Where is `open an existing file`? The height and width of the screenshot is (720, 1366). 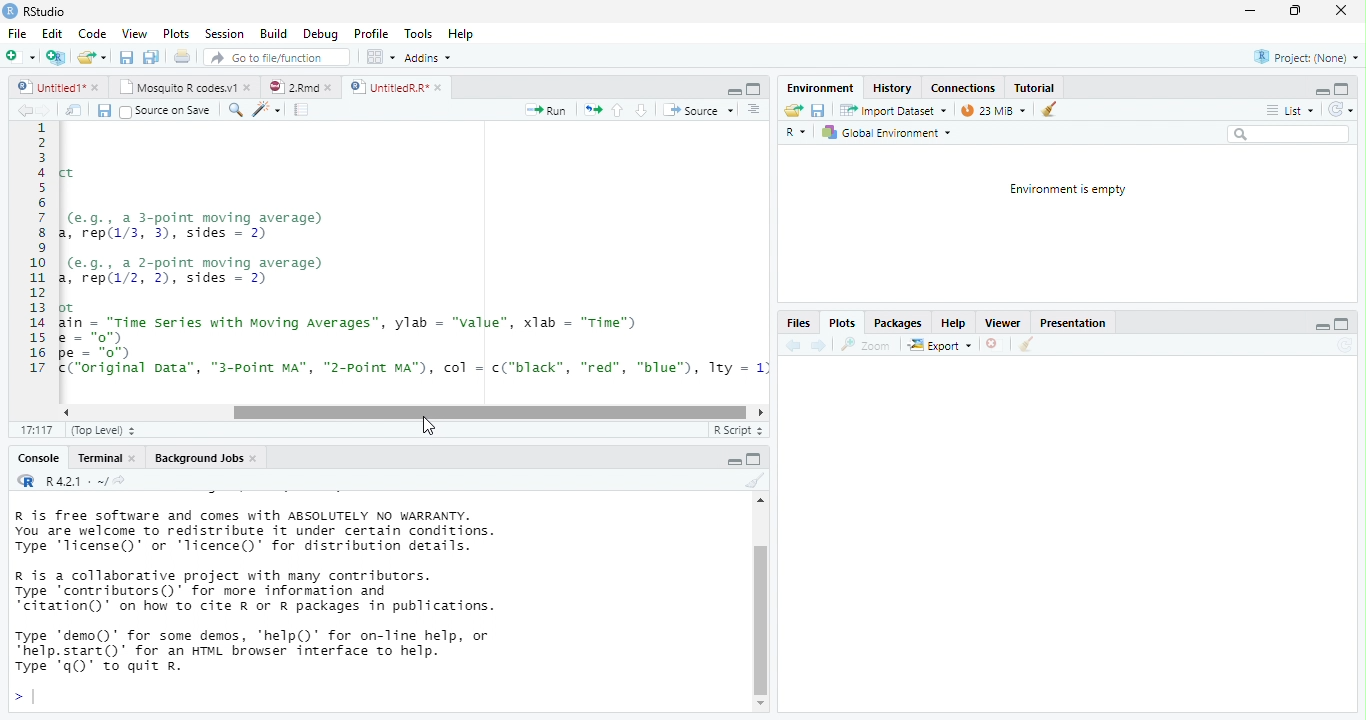
open an existing file is located at coordinates (92, 58).